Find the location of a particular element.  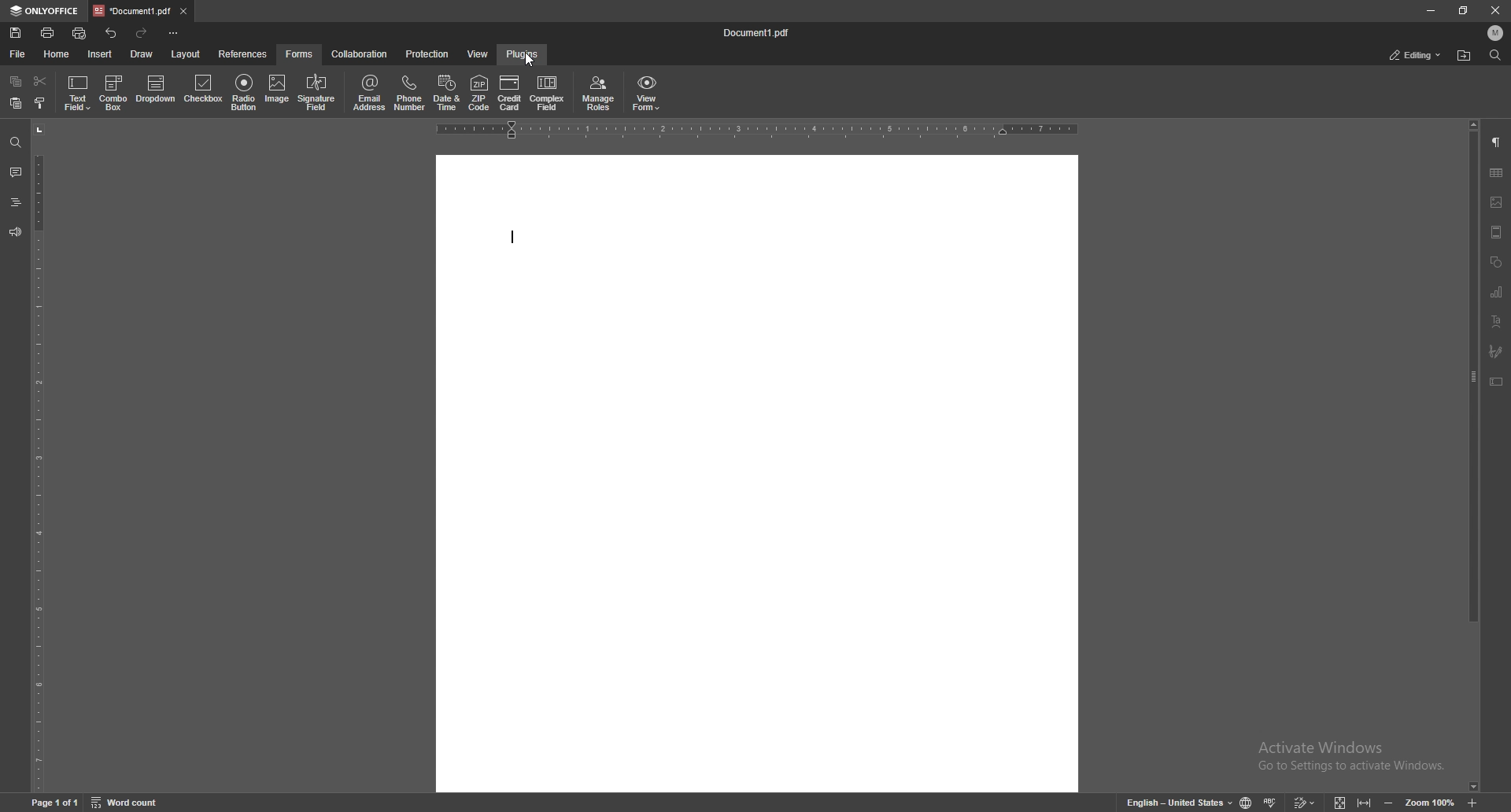

zoom out is located at coordinates (1389, 803).